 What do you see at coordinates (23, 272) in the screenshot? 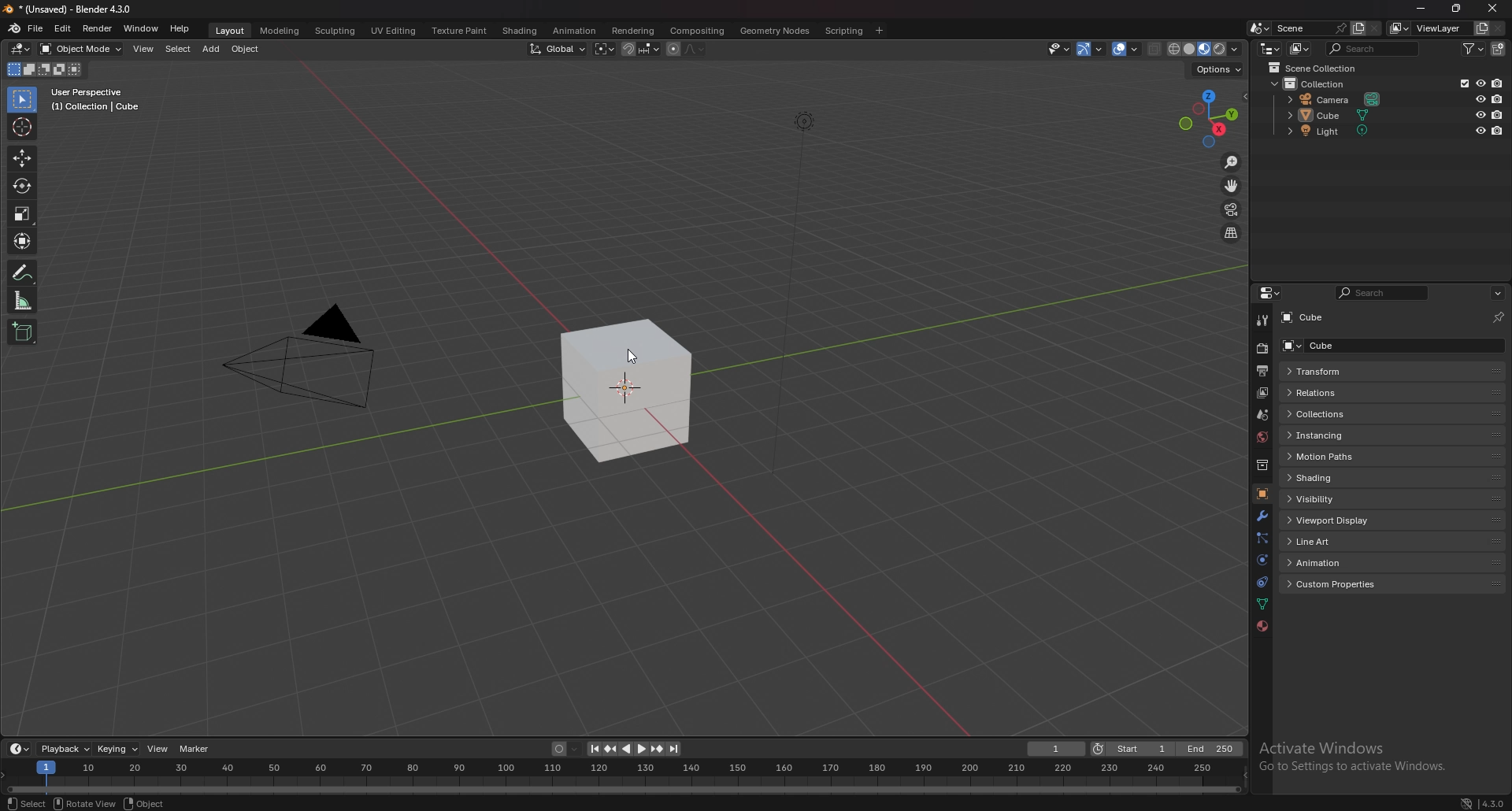
I see `annotate` at bounding box center [23, 272].